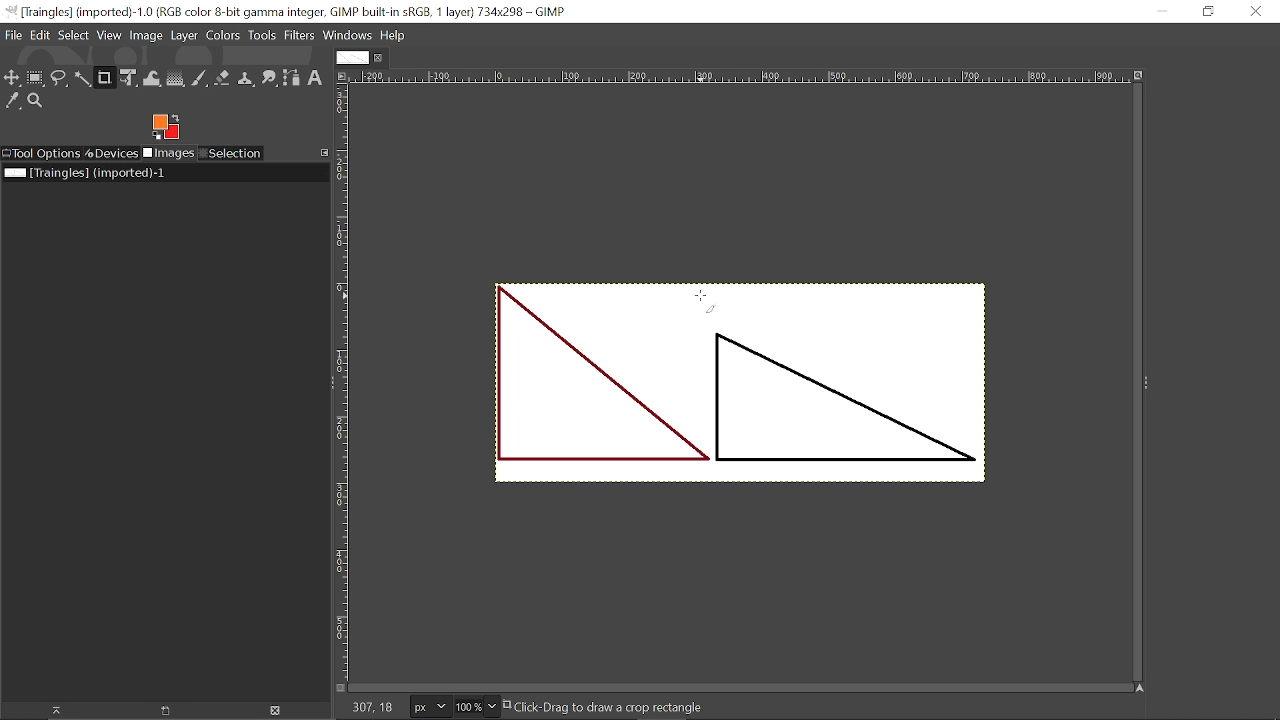  What do you see at coordinates (166, 126) in the screenshot?
I see `The active foreground color` at bounding box center [166, 126].